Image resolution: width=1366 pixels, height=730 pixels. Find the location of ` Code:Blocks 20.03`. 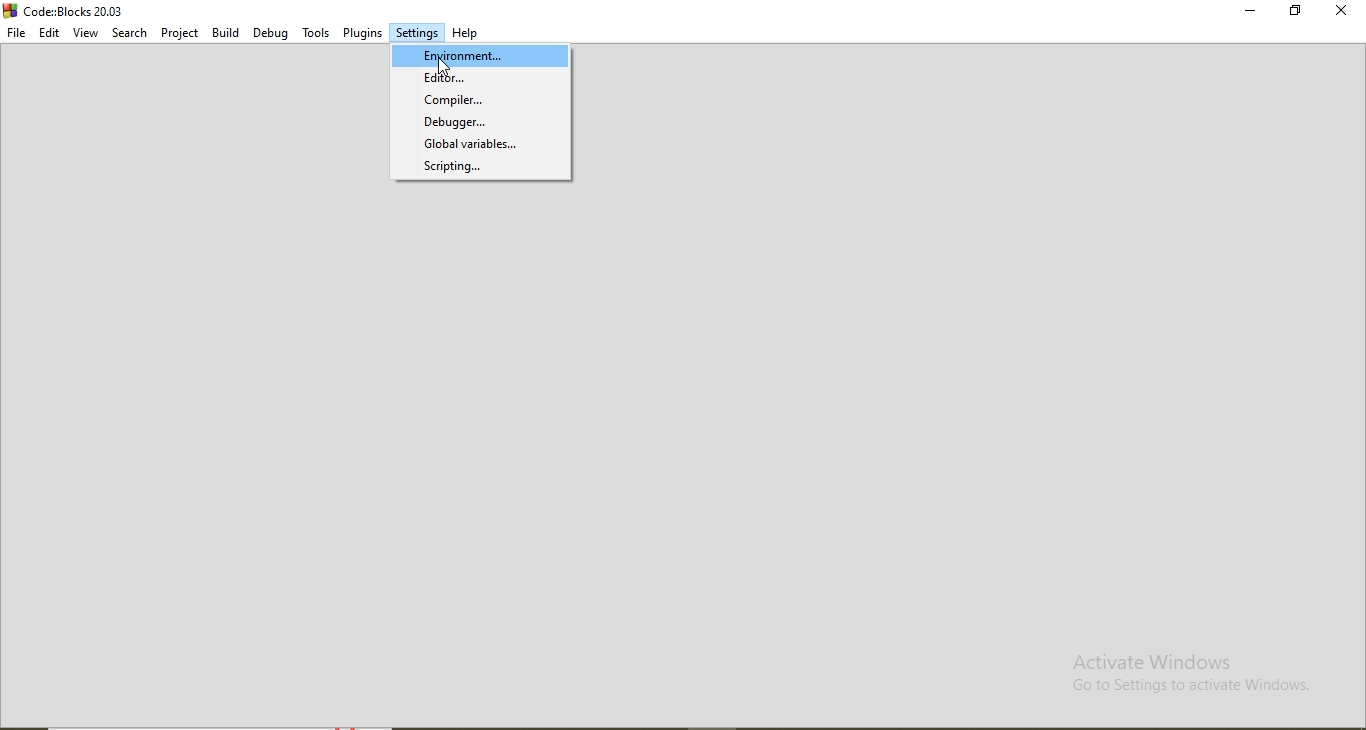

 Code:Blocks 20.03 is located at coordinates (72, 9).